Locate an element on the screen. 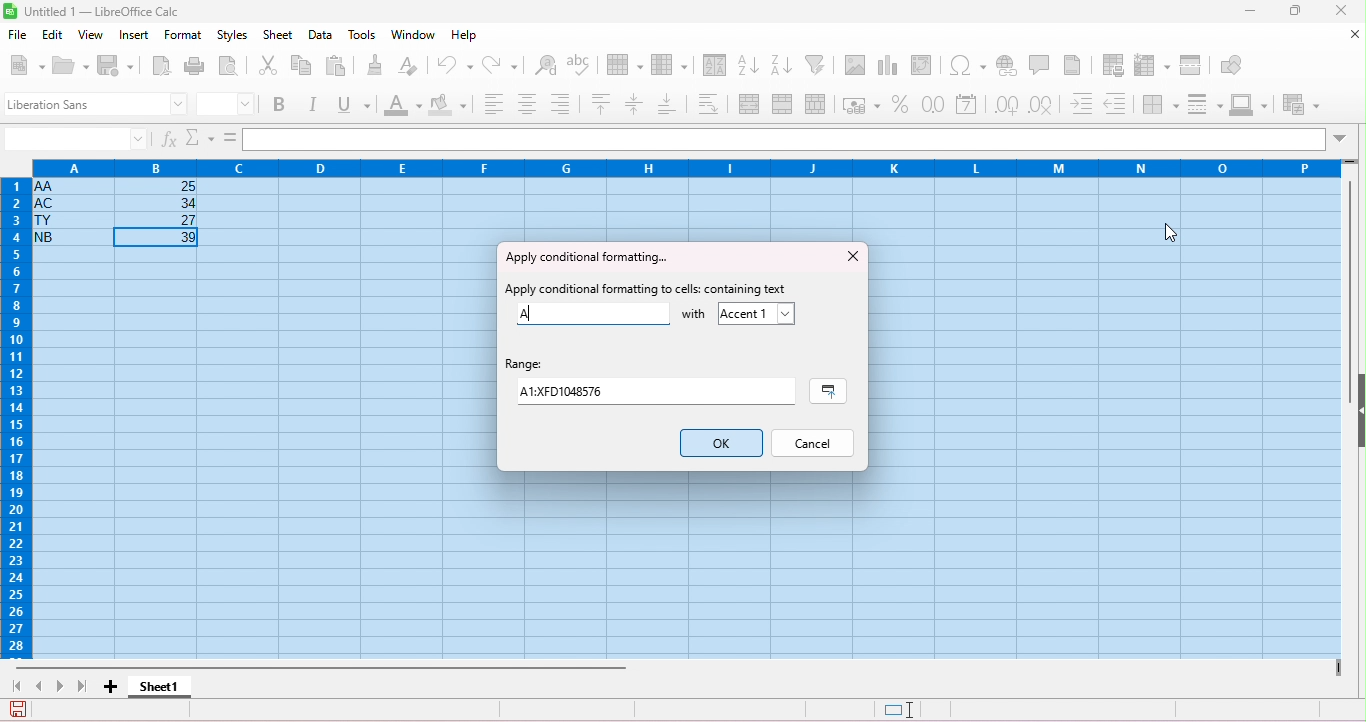 Image resolution: width=1366 pixels, height=722 pixels. previous sheet is located at coordinates (41, 686).